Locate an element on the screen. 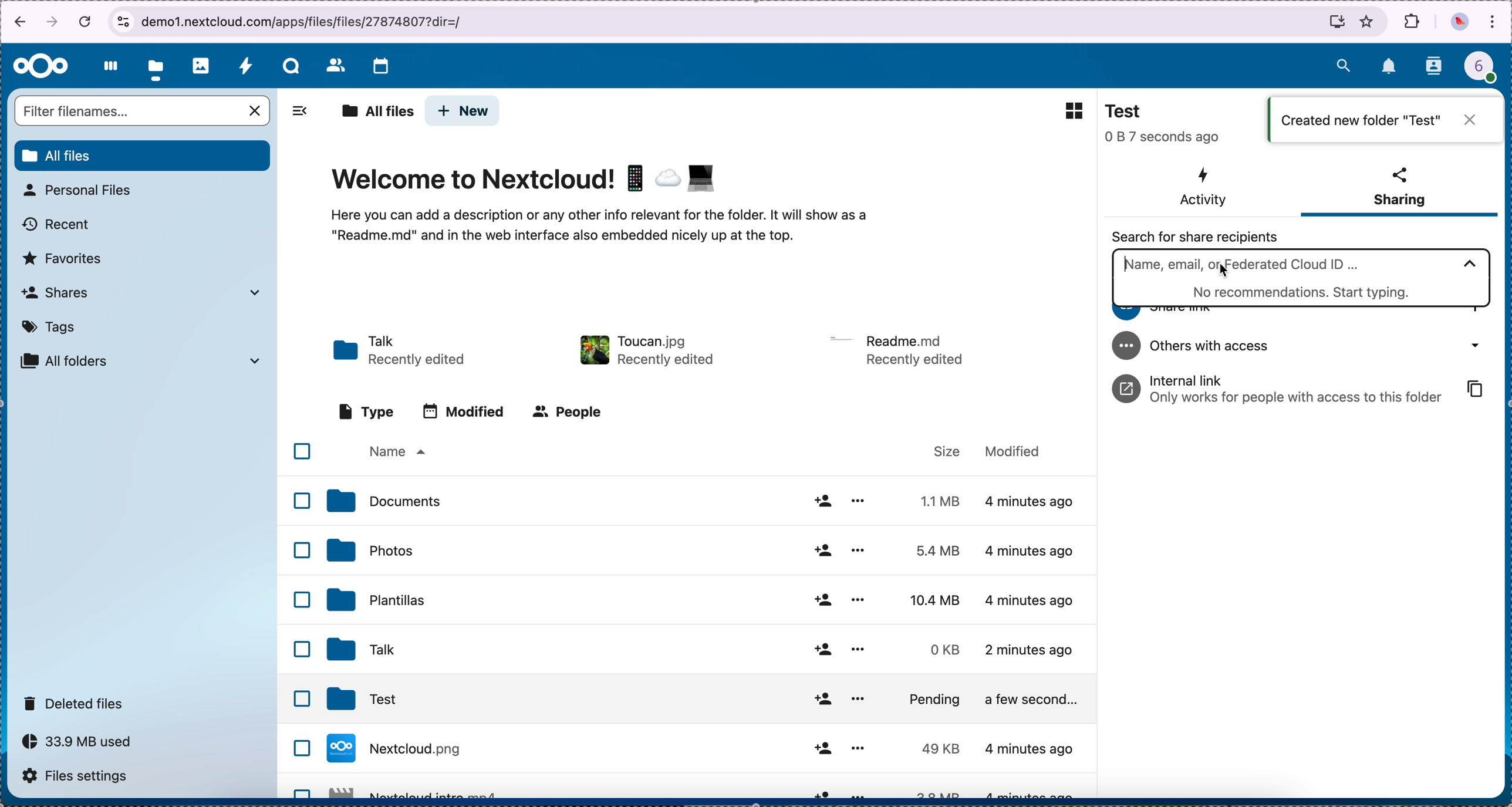 The image size is (1512, 807). hide sidebar is located at coordinates (296, 115).